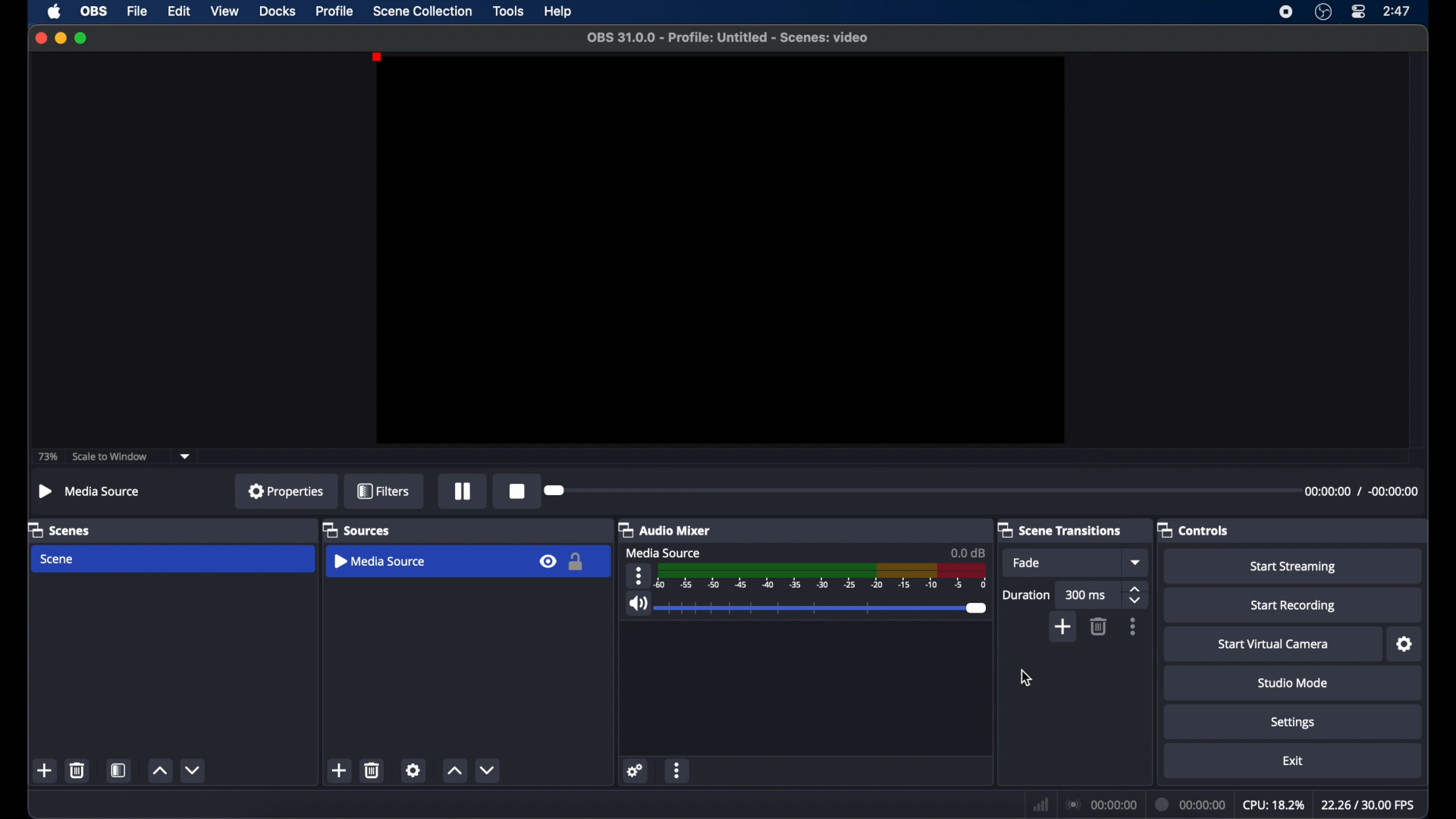 This screenshot has width=1456, height=819. Describe the element at coordinates (637, 604) in the screenshot. I see `volume` at that location.